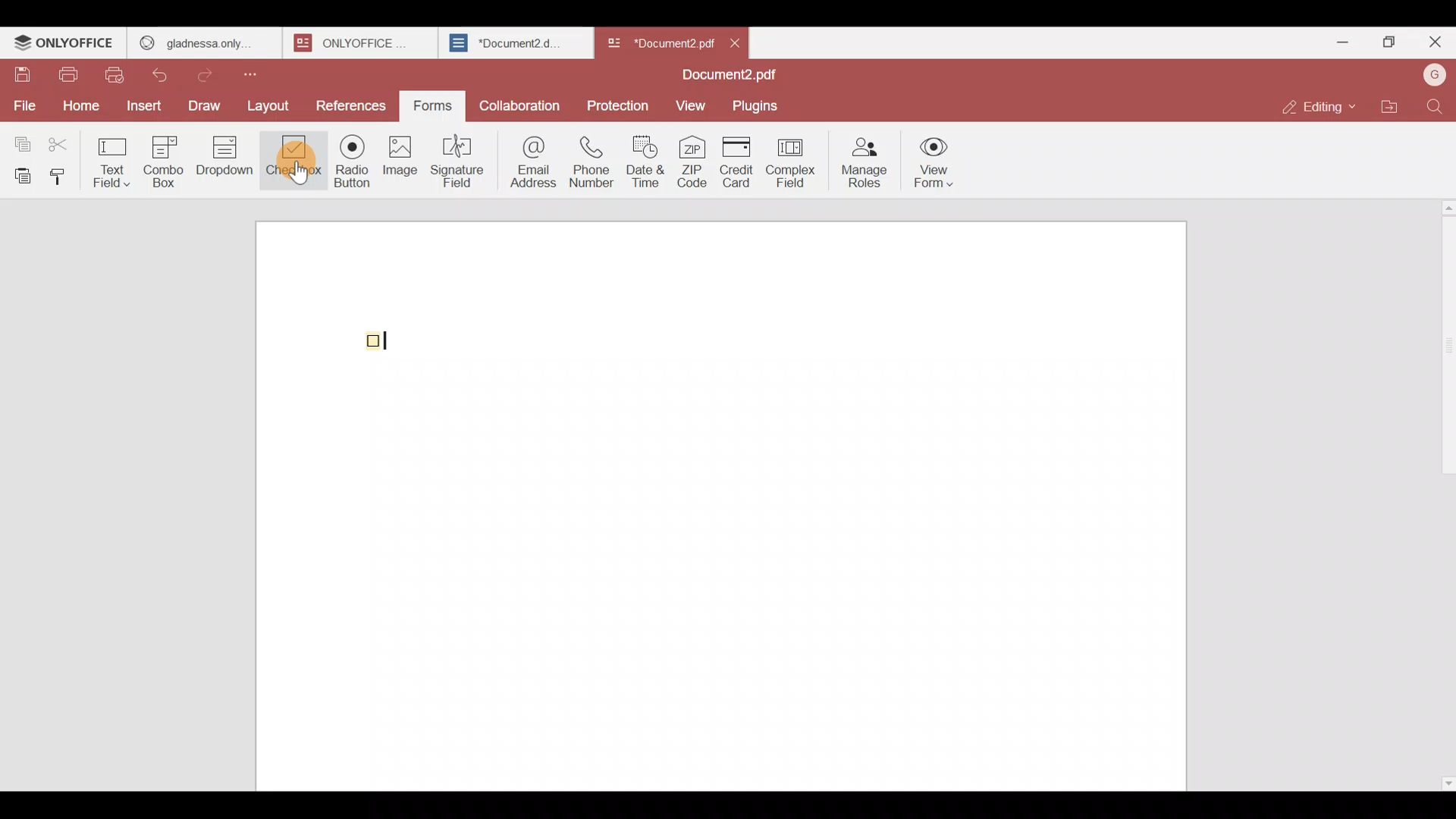 Image resolution: width=1456 pixels, height=819 pixels. Describe the element at coordinates (649, 162) in the screenshot. I see `Date & time` at that location.